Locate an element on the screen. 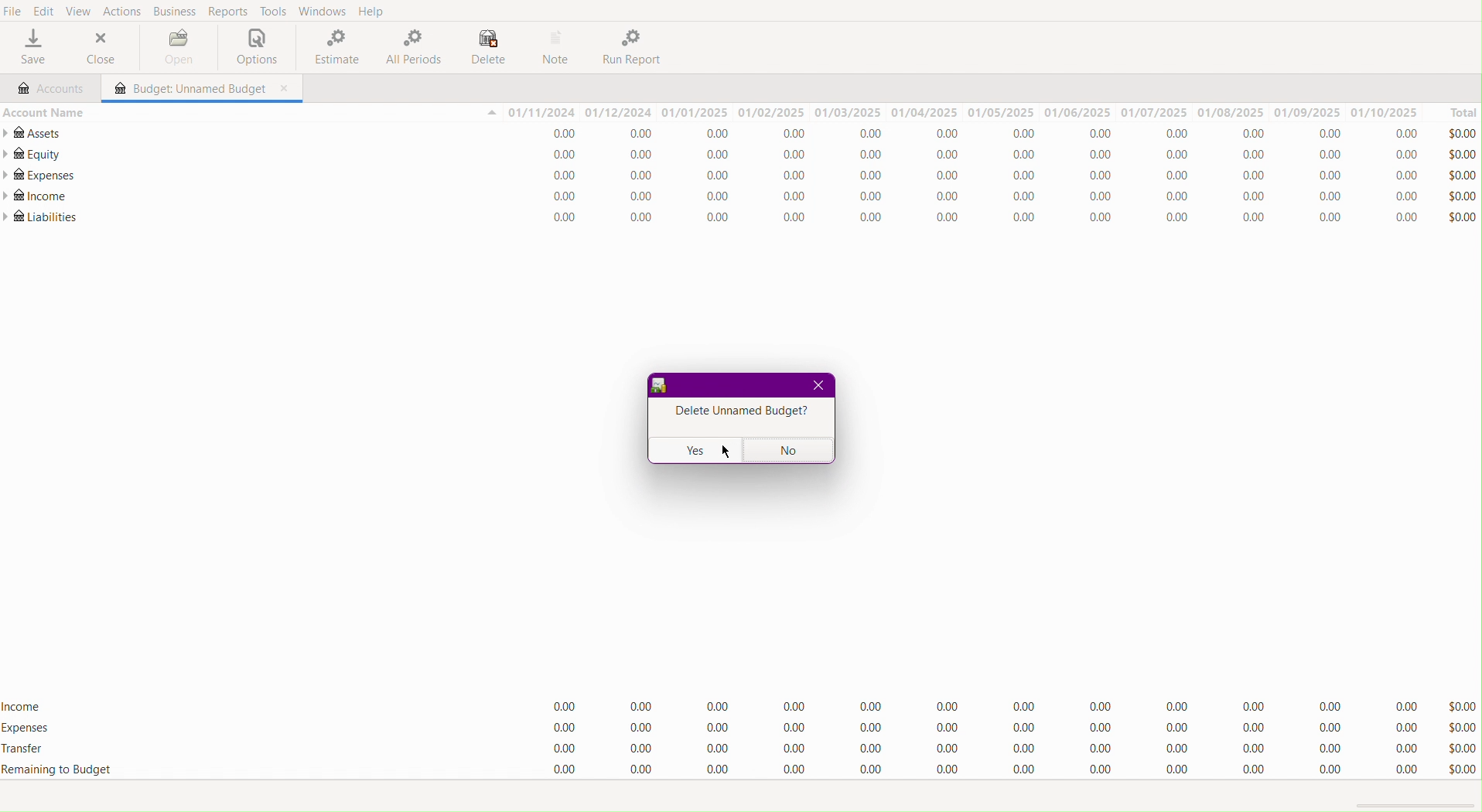 Image resolution: width=1482 pixels, height=812 pixels. Edit is located at coordinates (42, 12).